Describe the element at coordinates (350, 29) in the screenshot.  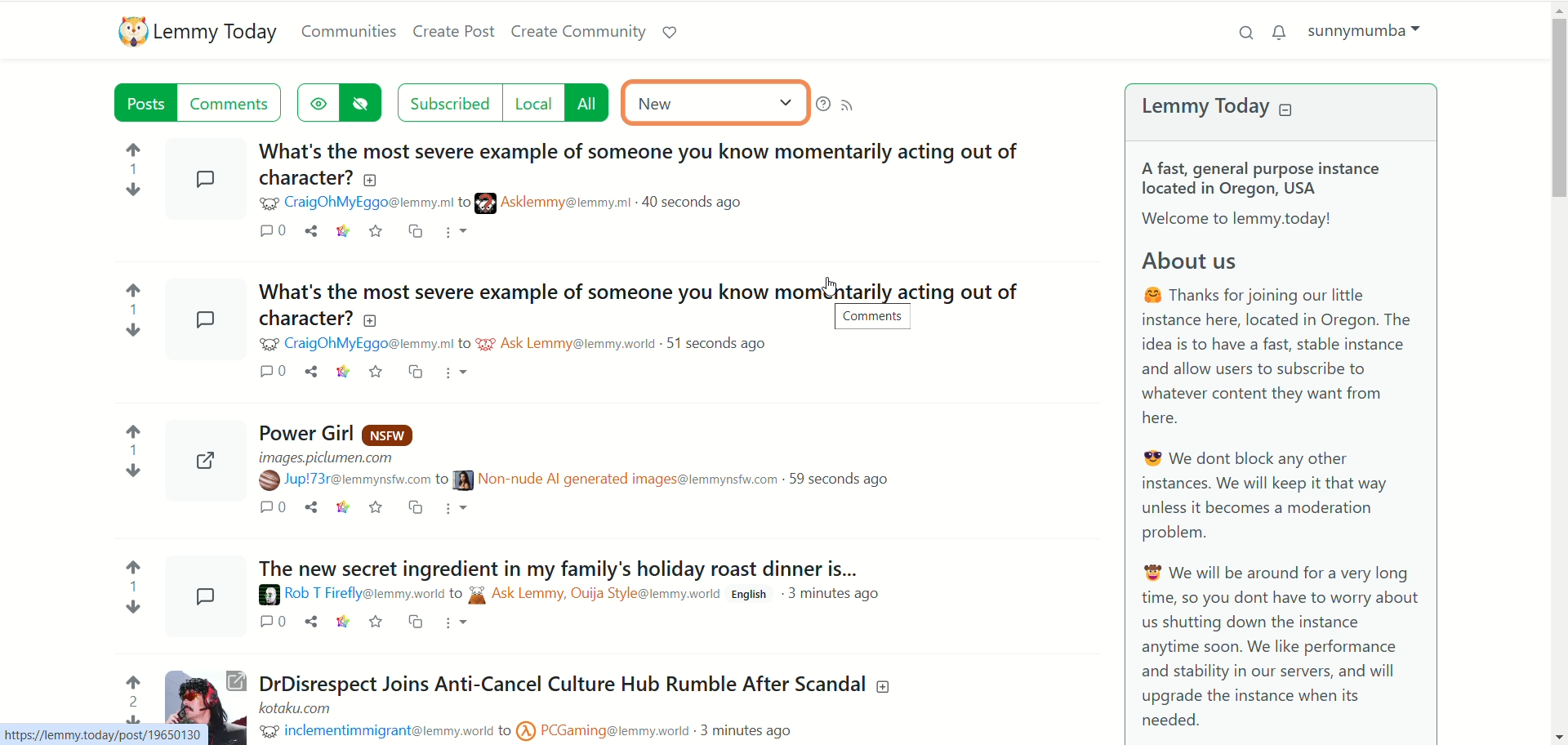
I see `communities` at that location.